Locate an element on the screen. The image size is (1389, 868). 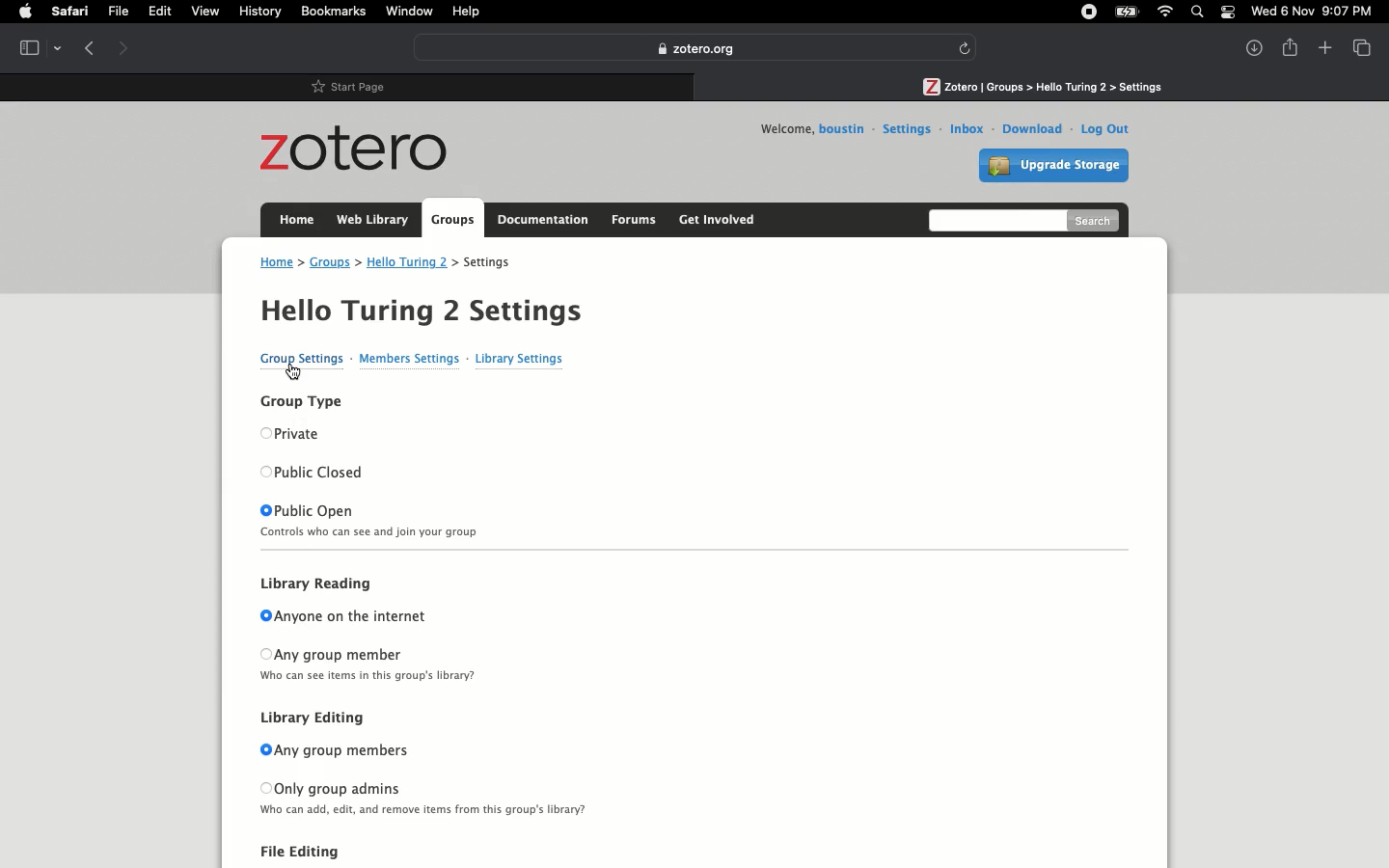
Inbox is located at coordinates (967, 127).